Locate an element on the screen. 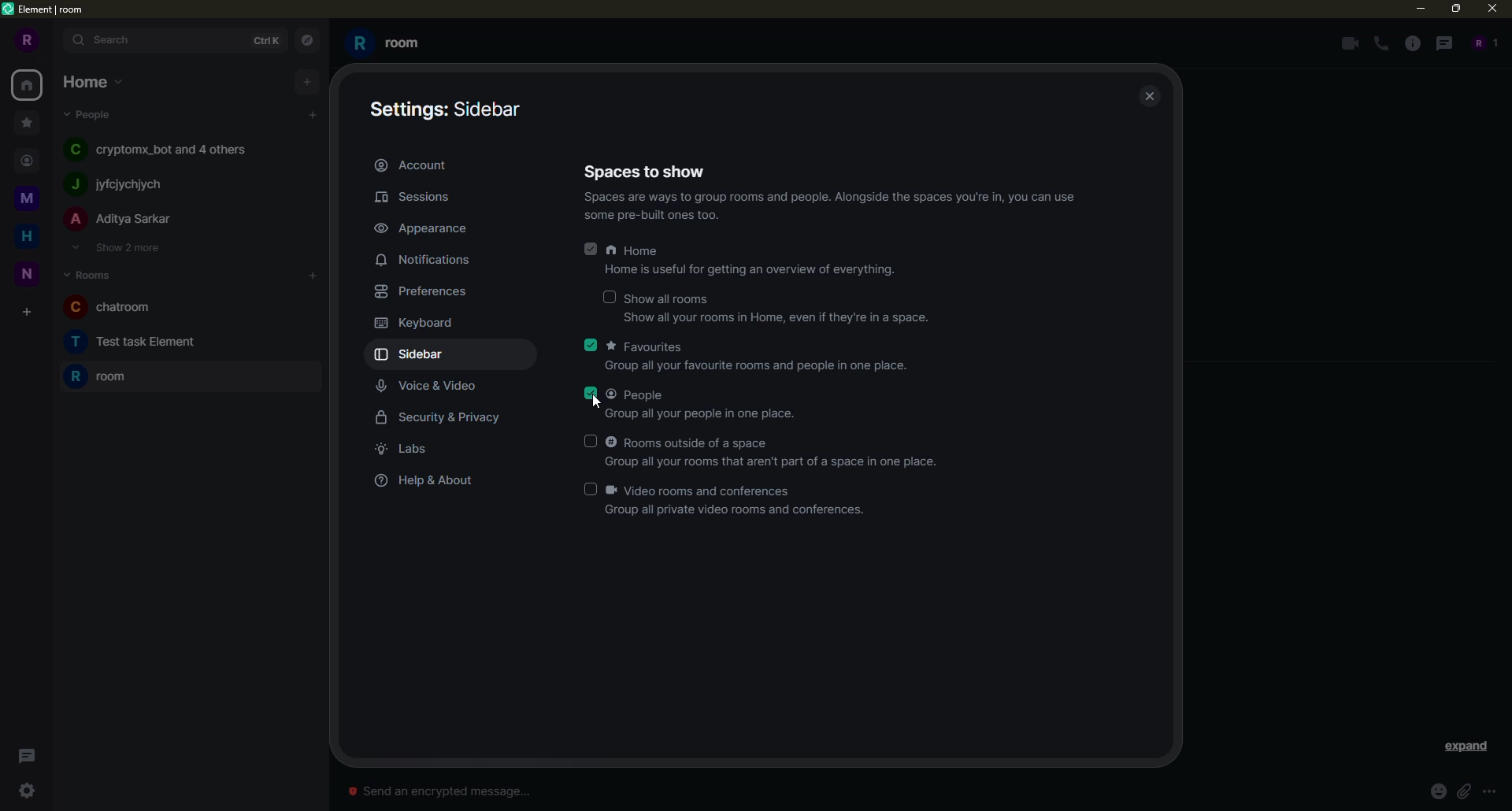 The height and width of the screenshot is (811, 1512). element is located at coordinates (45, 11).